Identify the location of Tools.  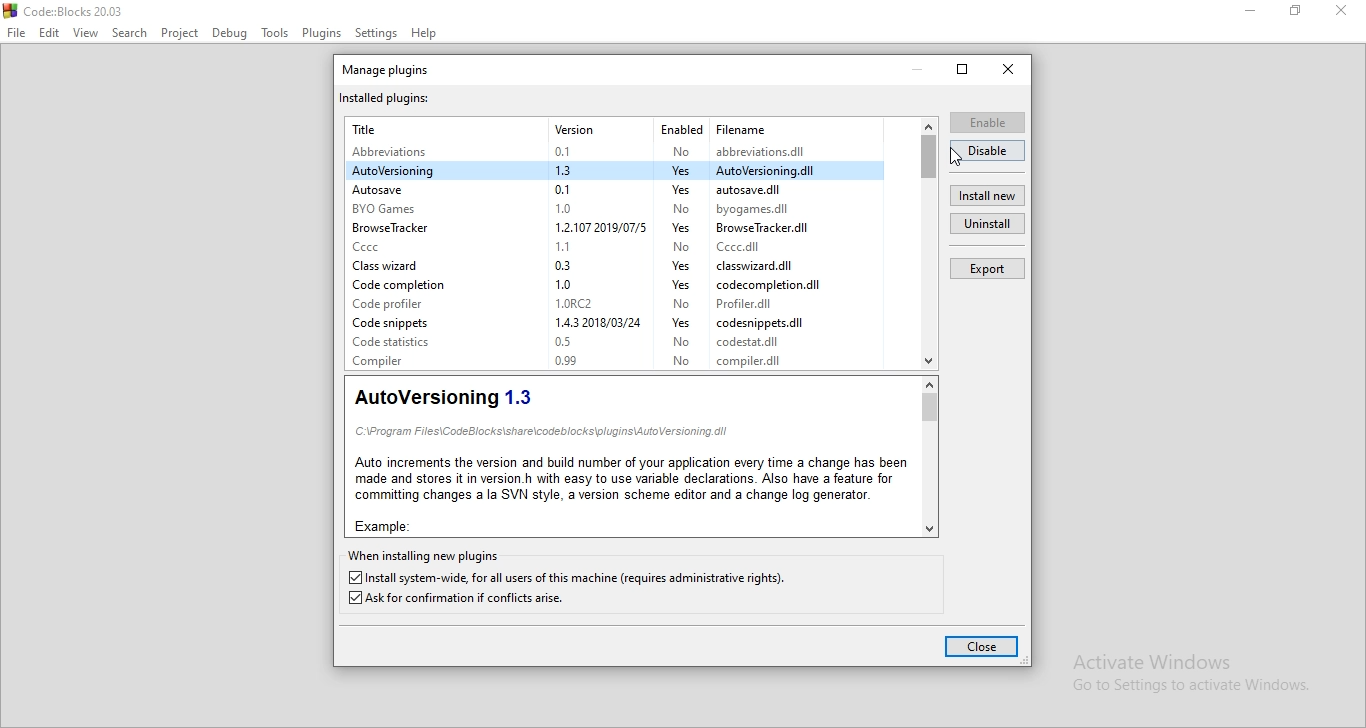
(275, 34).